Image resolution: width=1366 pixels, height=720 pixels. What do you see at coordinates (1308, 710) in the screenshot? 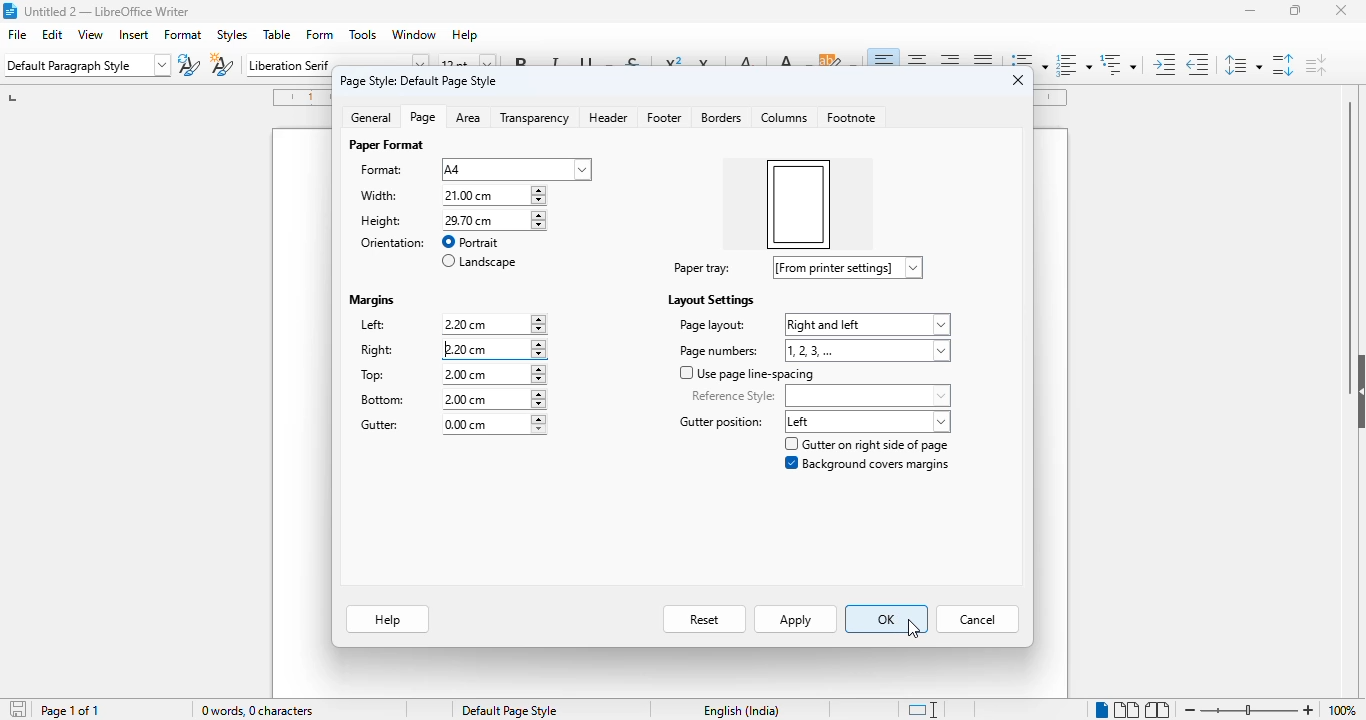
I see `zoom in` at bounding box center [1308, 710].